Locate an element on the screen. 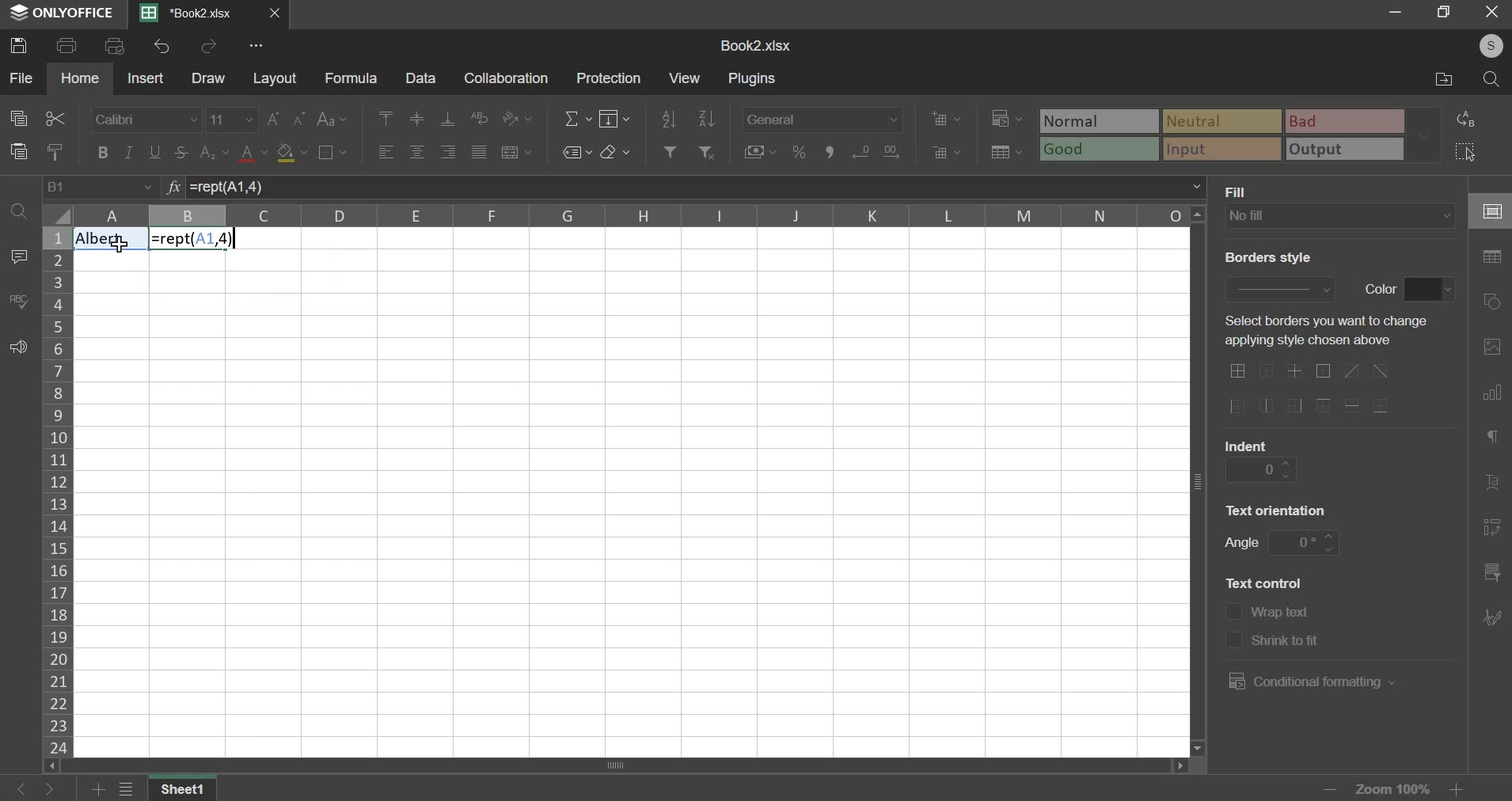  comment is located at coordinates (22, 255).